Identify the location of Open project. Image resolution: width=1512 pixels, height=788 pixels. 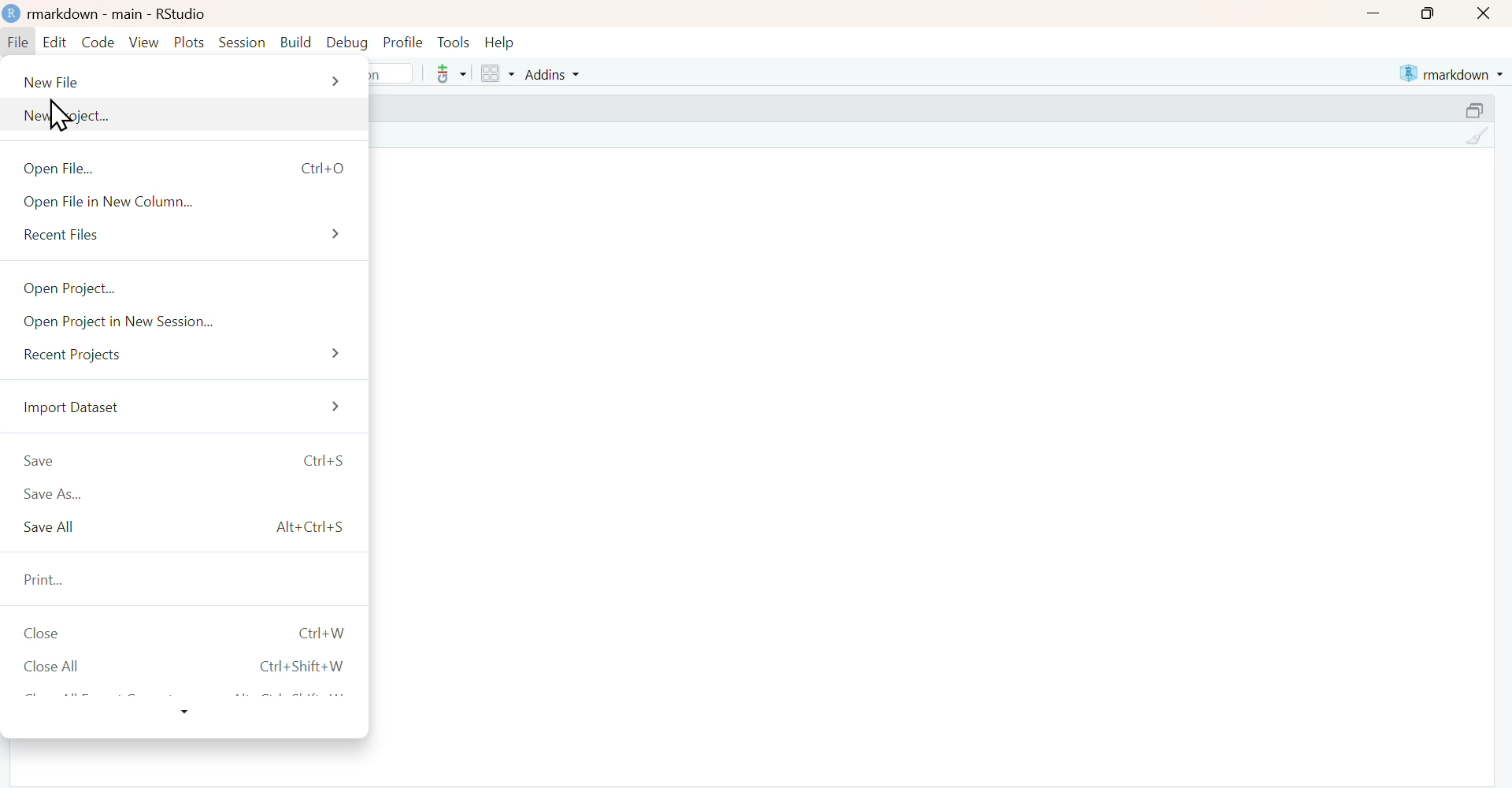
(195, 288).